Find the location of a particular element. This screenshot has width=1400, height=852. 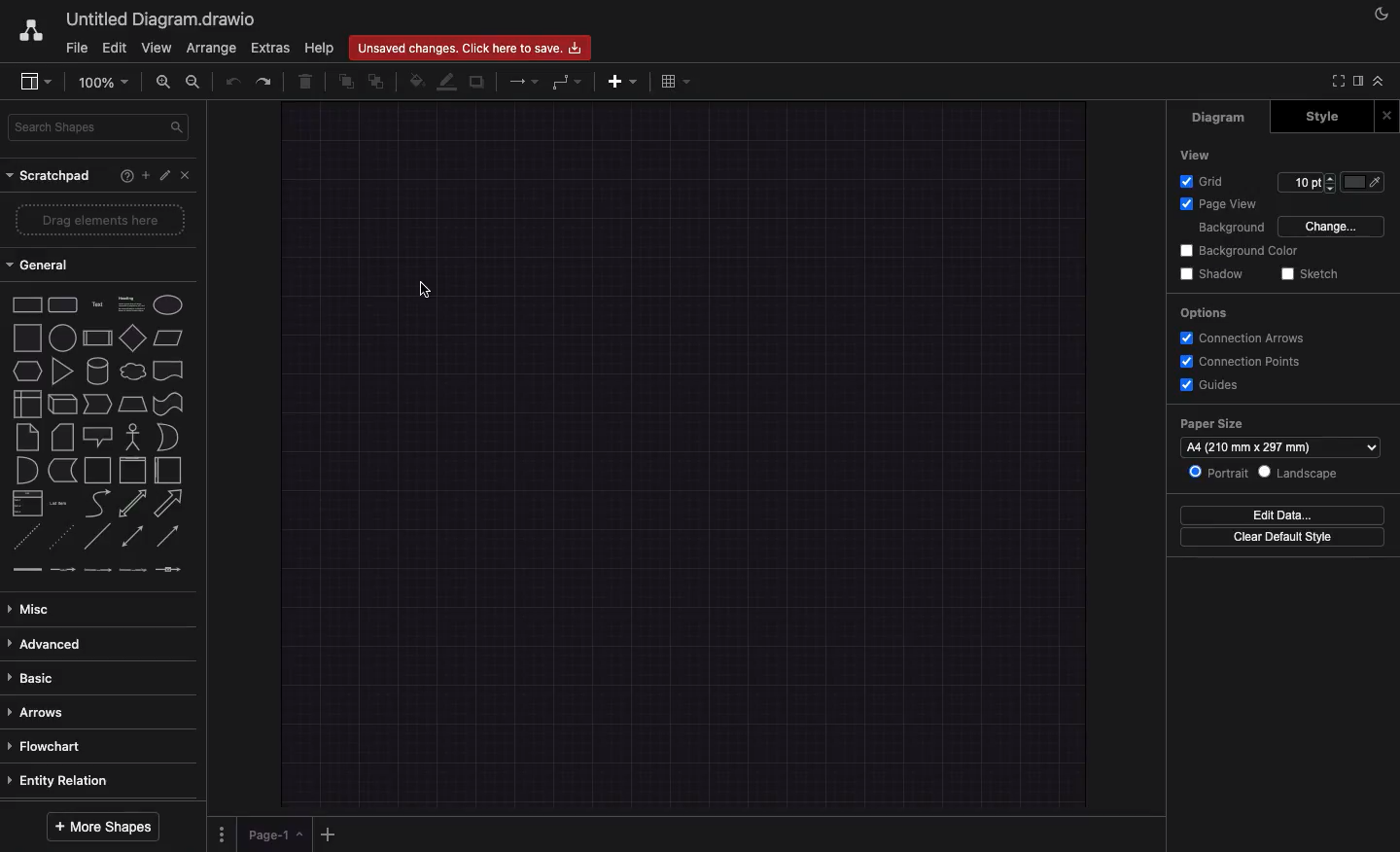

Mouse is located at coordinates (424, 286).